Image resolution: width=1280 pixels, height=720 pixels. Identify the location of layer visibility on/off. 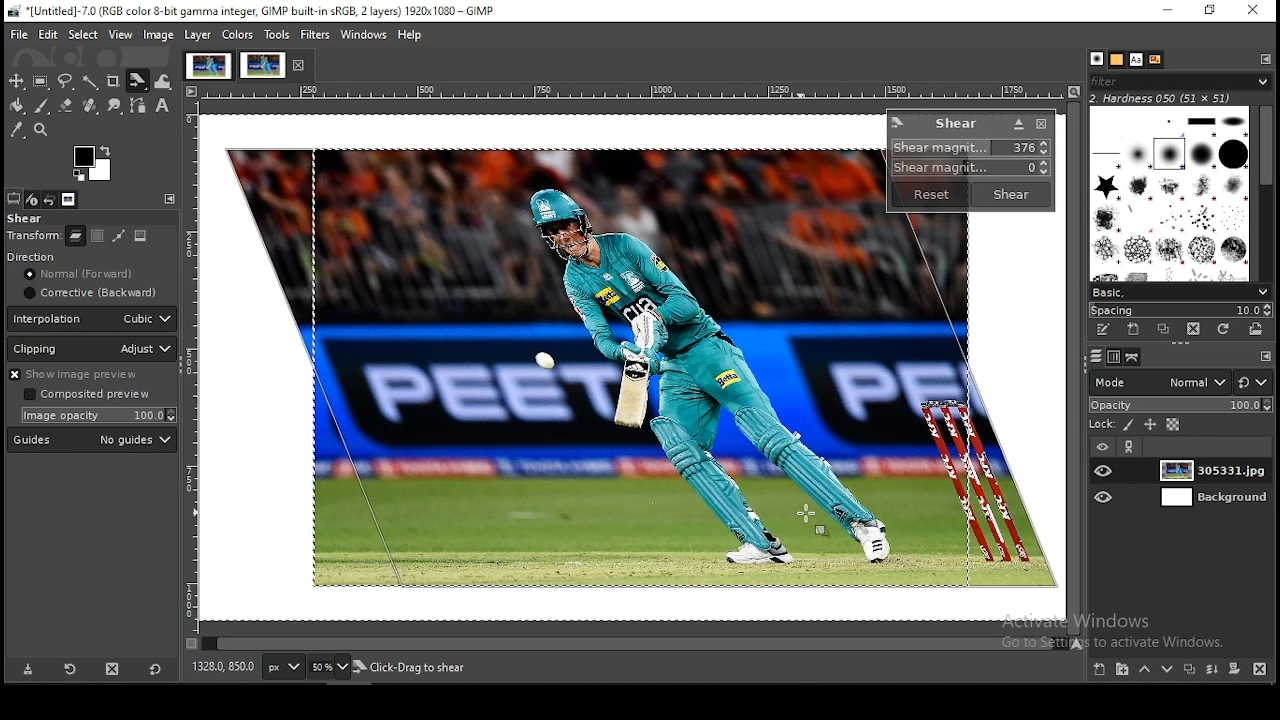
(1106, 496).